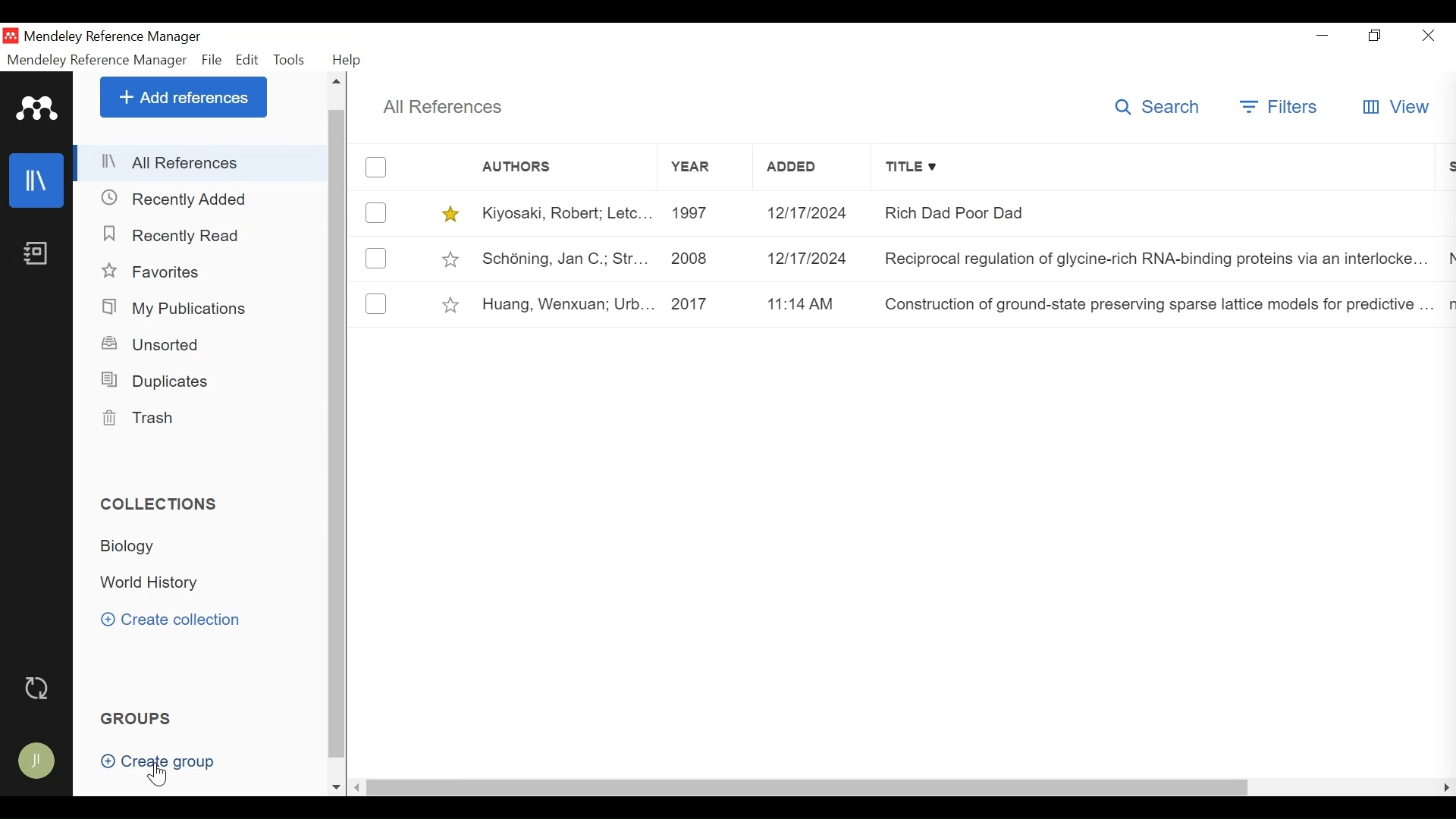 This screenshot has width=1456, height=819. What do you see at coordinates (1159, 257) in the screenshot?
I see `Reciprocal regulation of glycine-rich RNA-binding proteins via an interlocked..` at bounding box center [1159, 257].